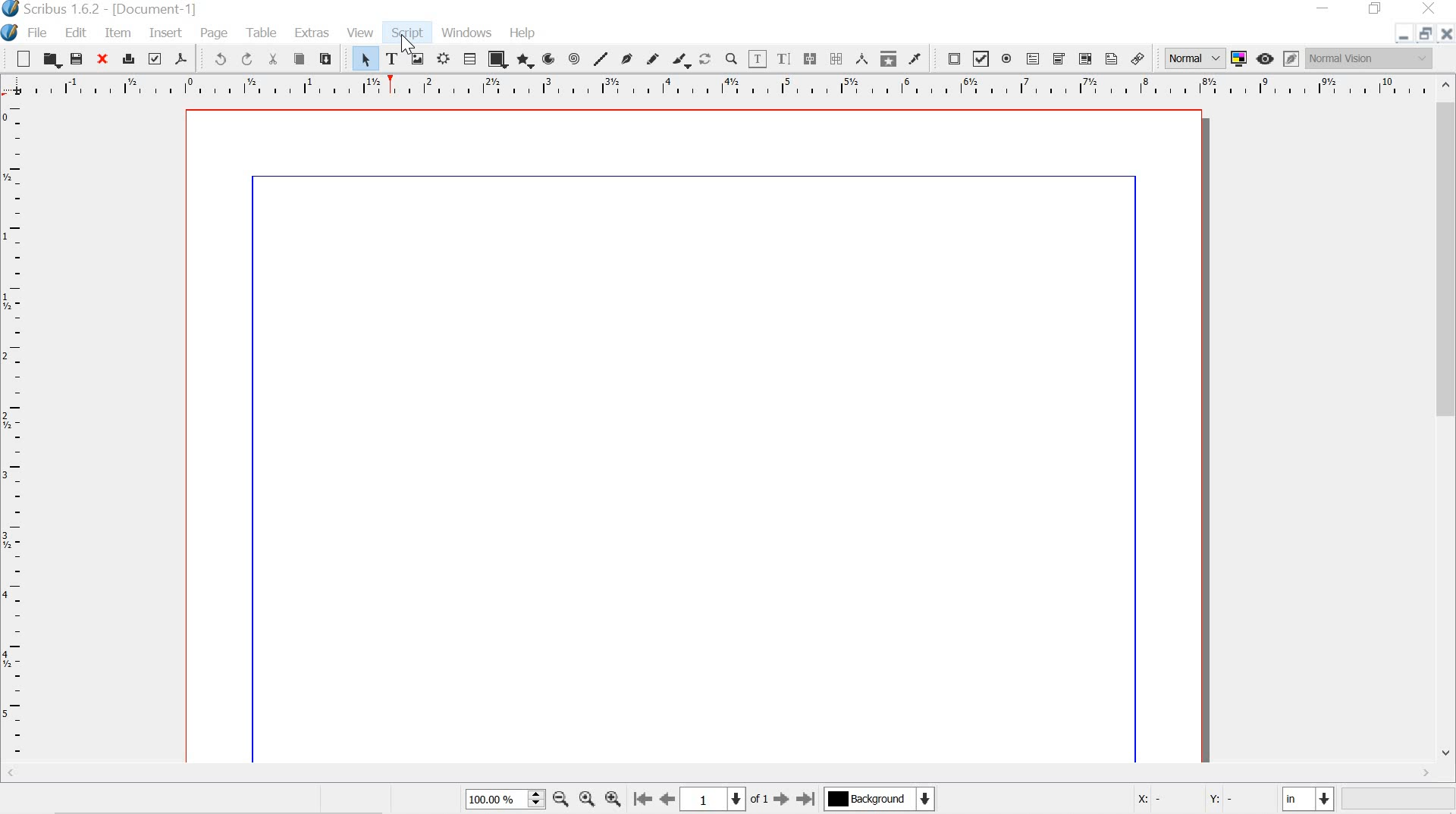  What do you see at coordinates (526, 61) in the screenshot?
I see `polygon` at bounding box center [526, 61].